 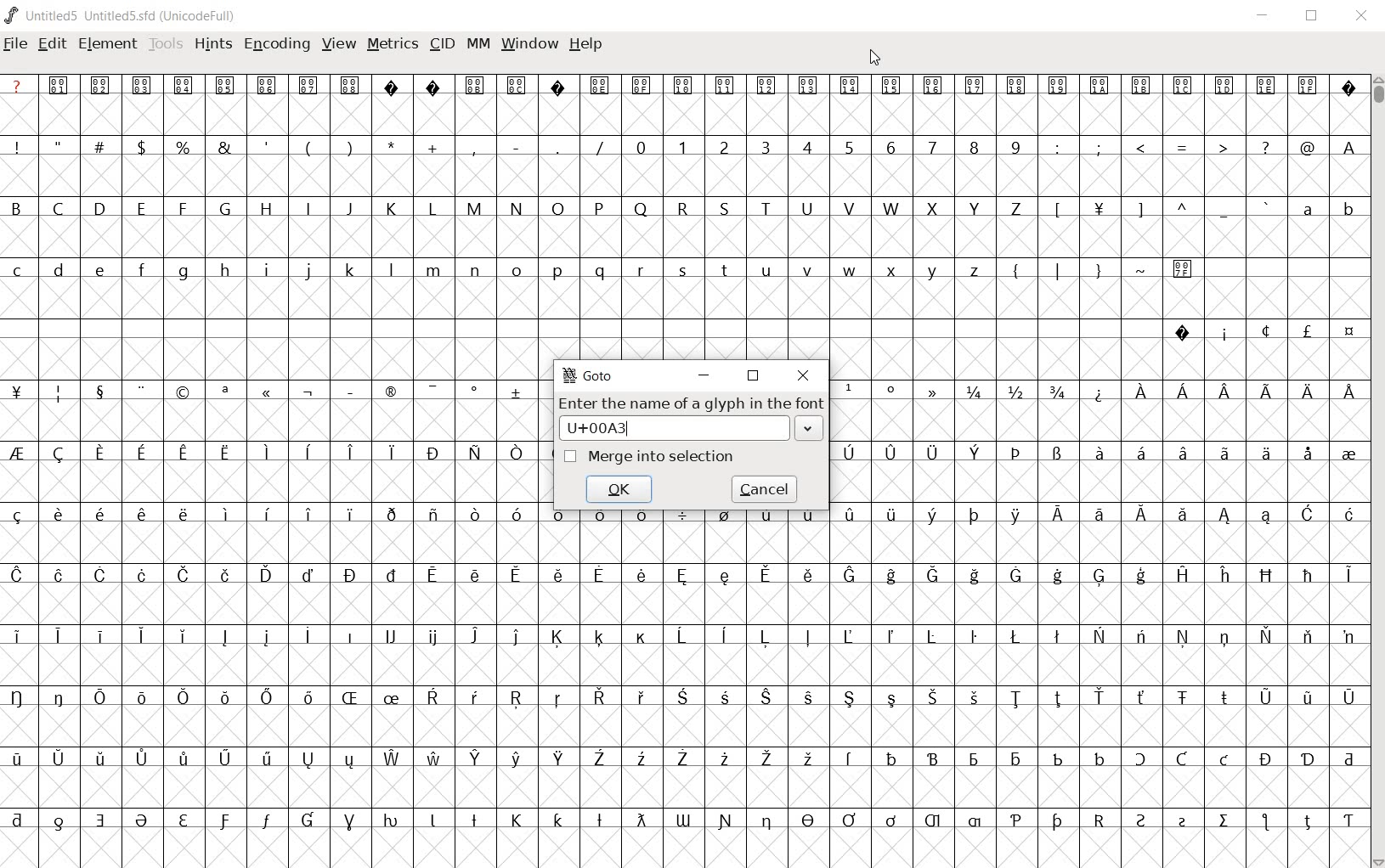 I want to click on Symbol, so click(x=975, y=759).